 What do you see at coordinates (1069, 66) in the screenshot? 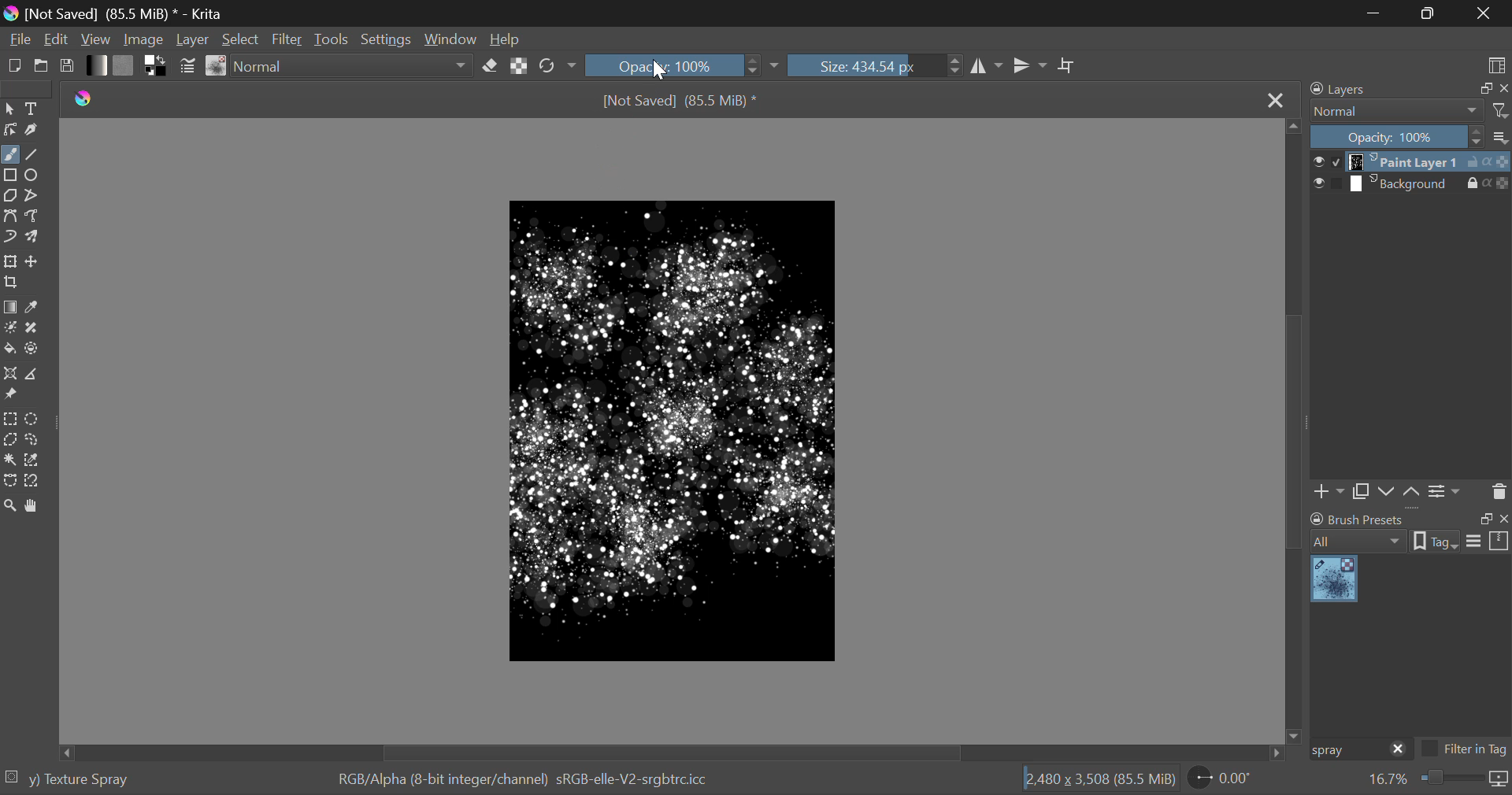
I see `Crop` at bounding box center [1069, 66].